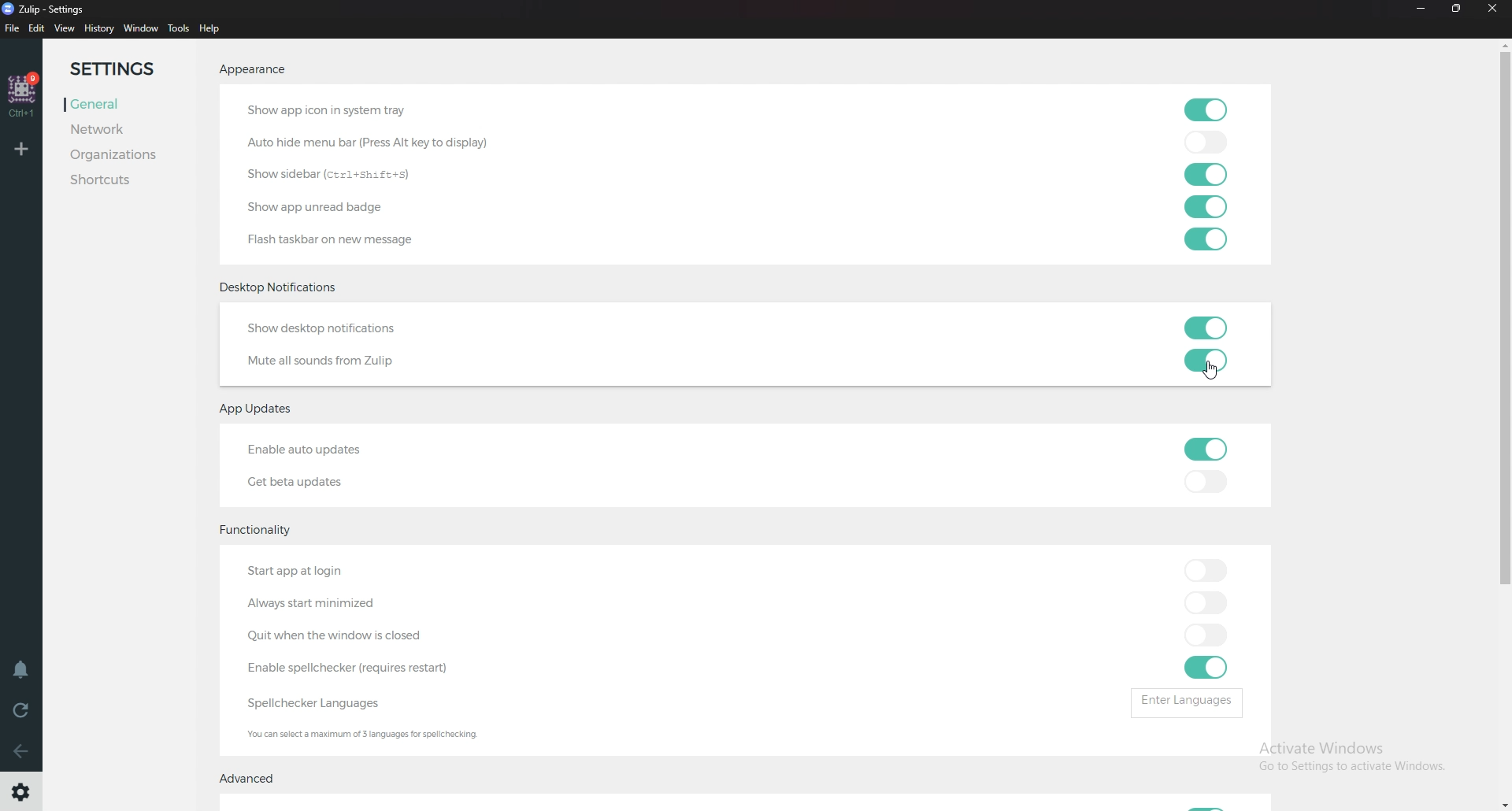 This screenshot has height=811, width=1512. What do you see at coordinates (1187, 702) in the screenshot?
I see `enter languages` at bounding box center [1187, 702].